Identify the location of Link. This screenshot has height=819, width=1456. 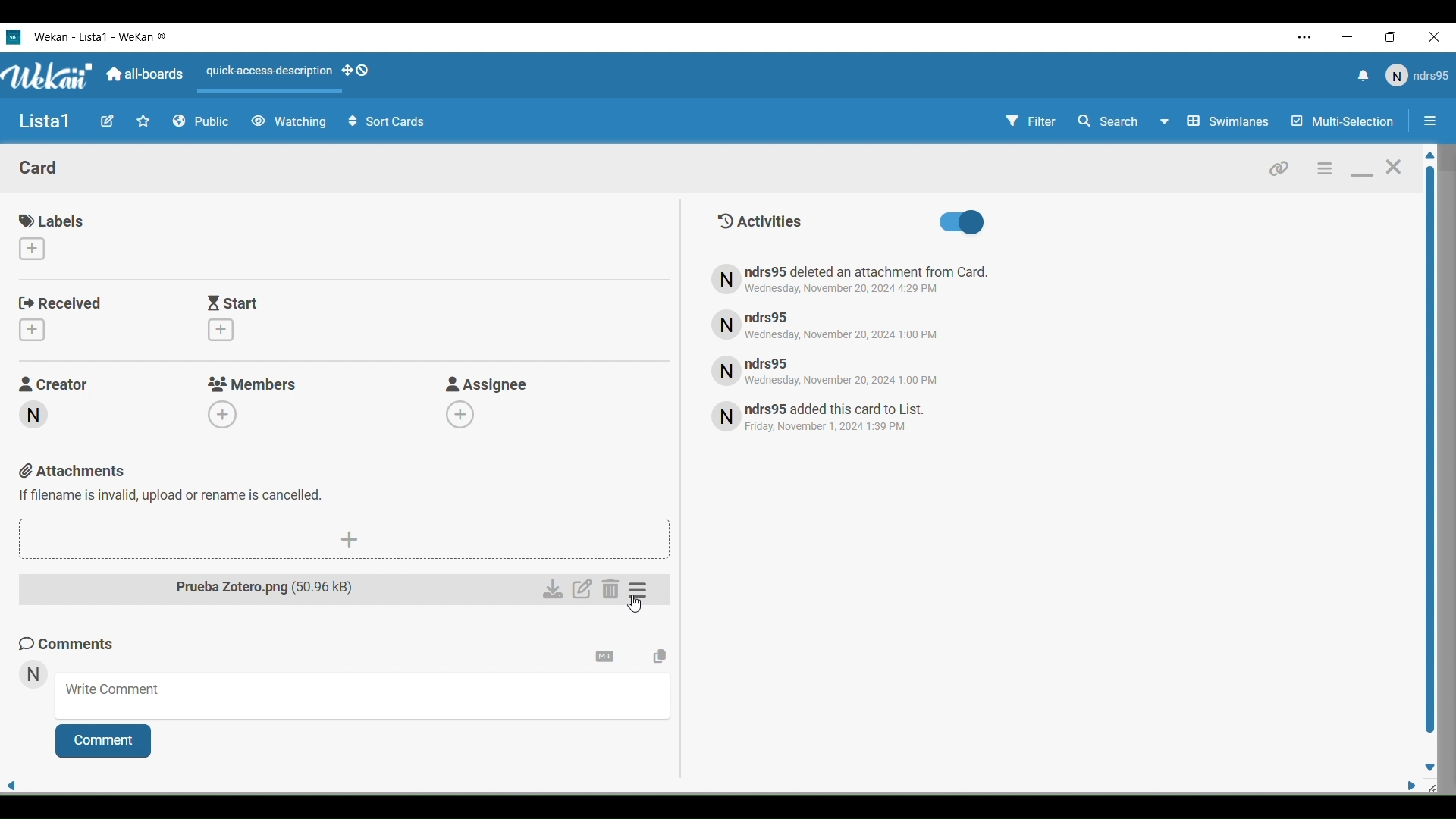
(1279, 167).